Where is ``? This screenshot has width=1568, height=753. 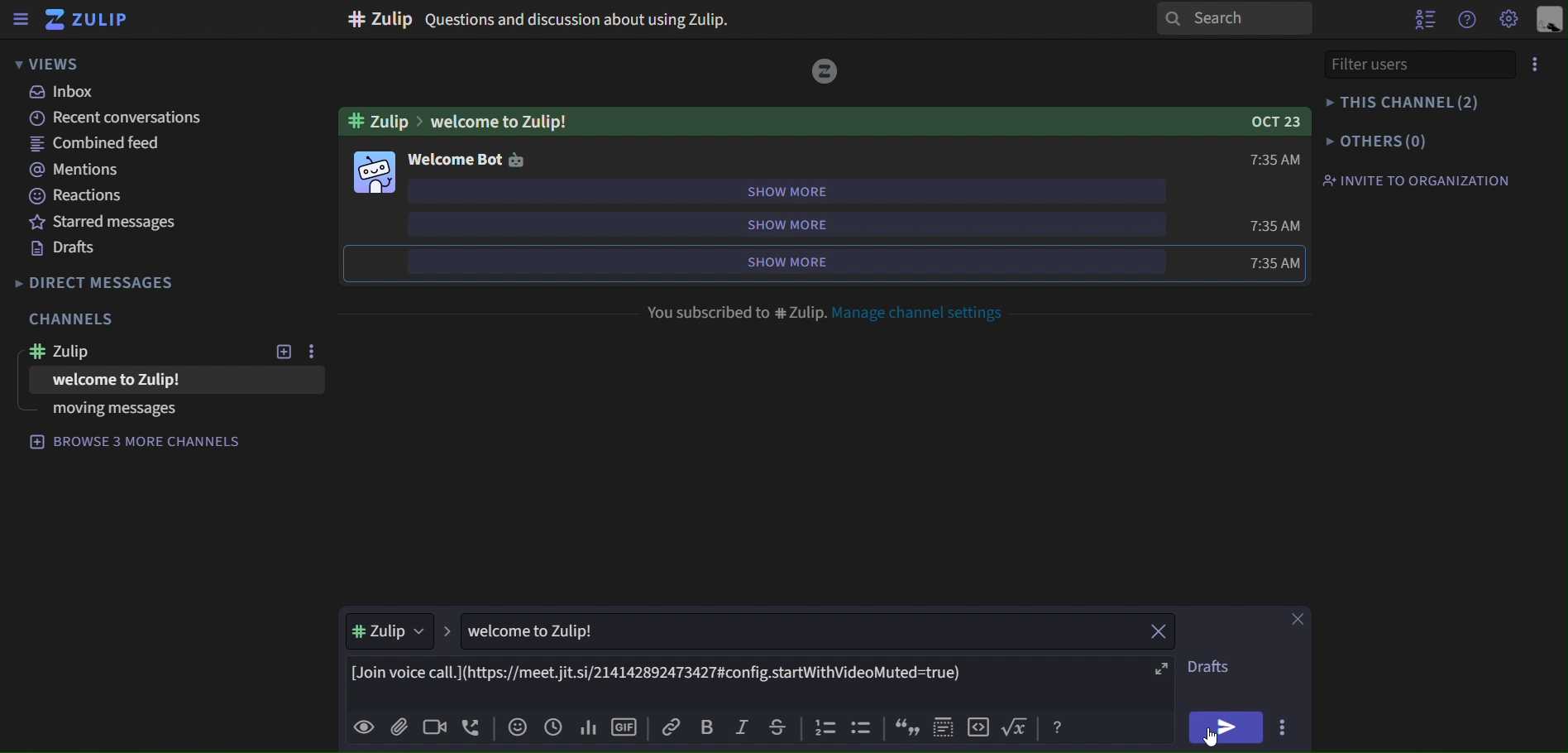
 is located at coordinates (375, 174).